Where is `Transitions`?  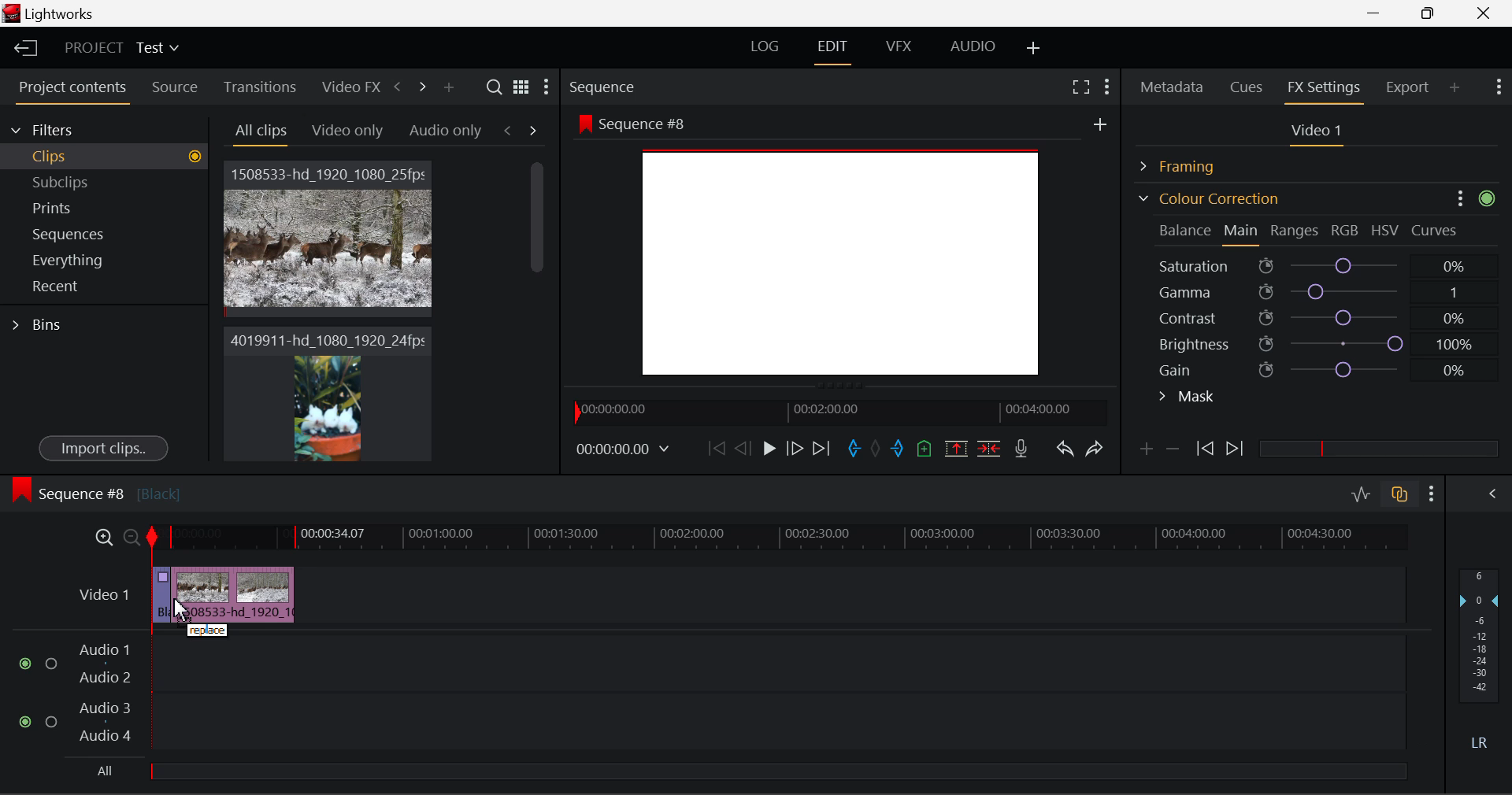
Transitions is located at coordinates (260, 87).